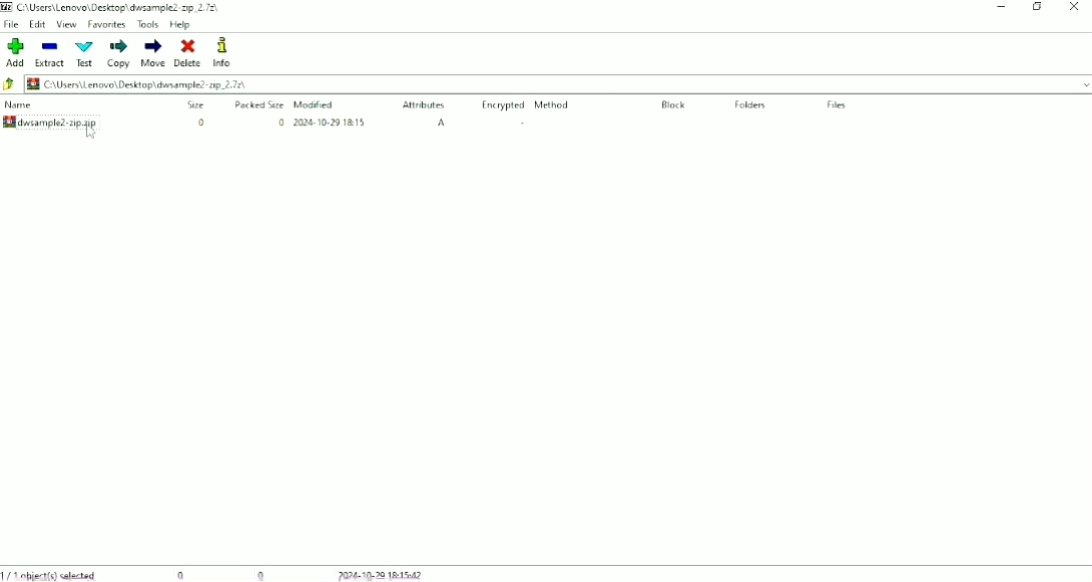 Image resolution: width=1092 pixels, height=582 pixels. What do you see at coordinates (443, 123) in the screenshot?
I see `A` at bounding box center [443, 123].